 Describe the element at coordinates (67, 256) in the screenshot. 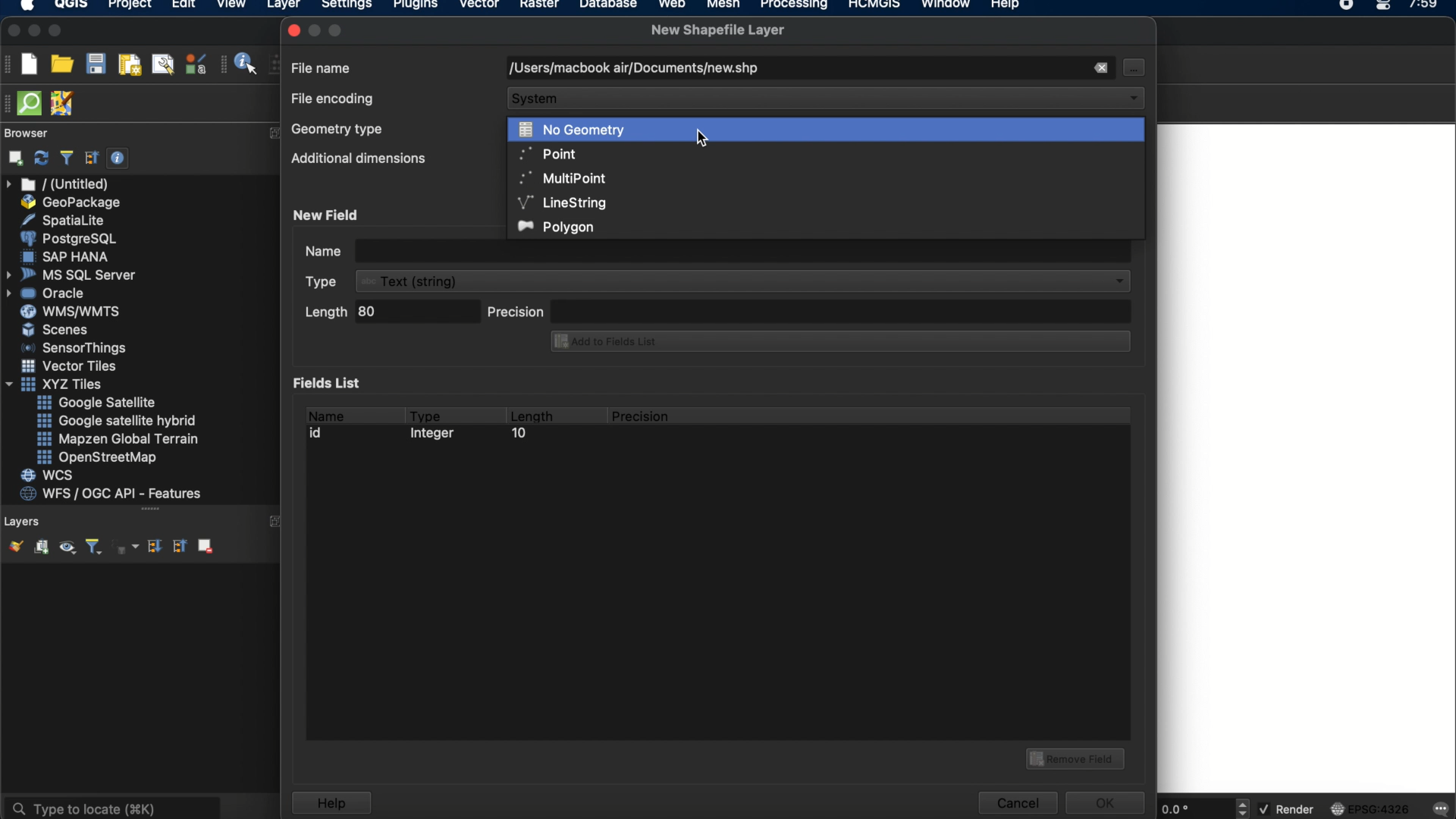

I see `sap hana` at that location.